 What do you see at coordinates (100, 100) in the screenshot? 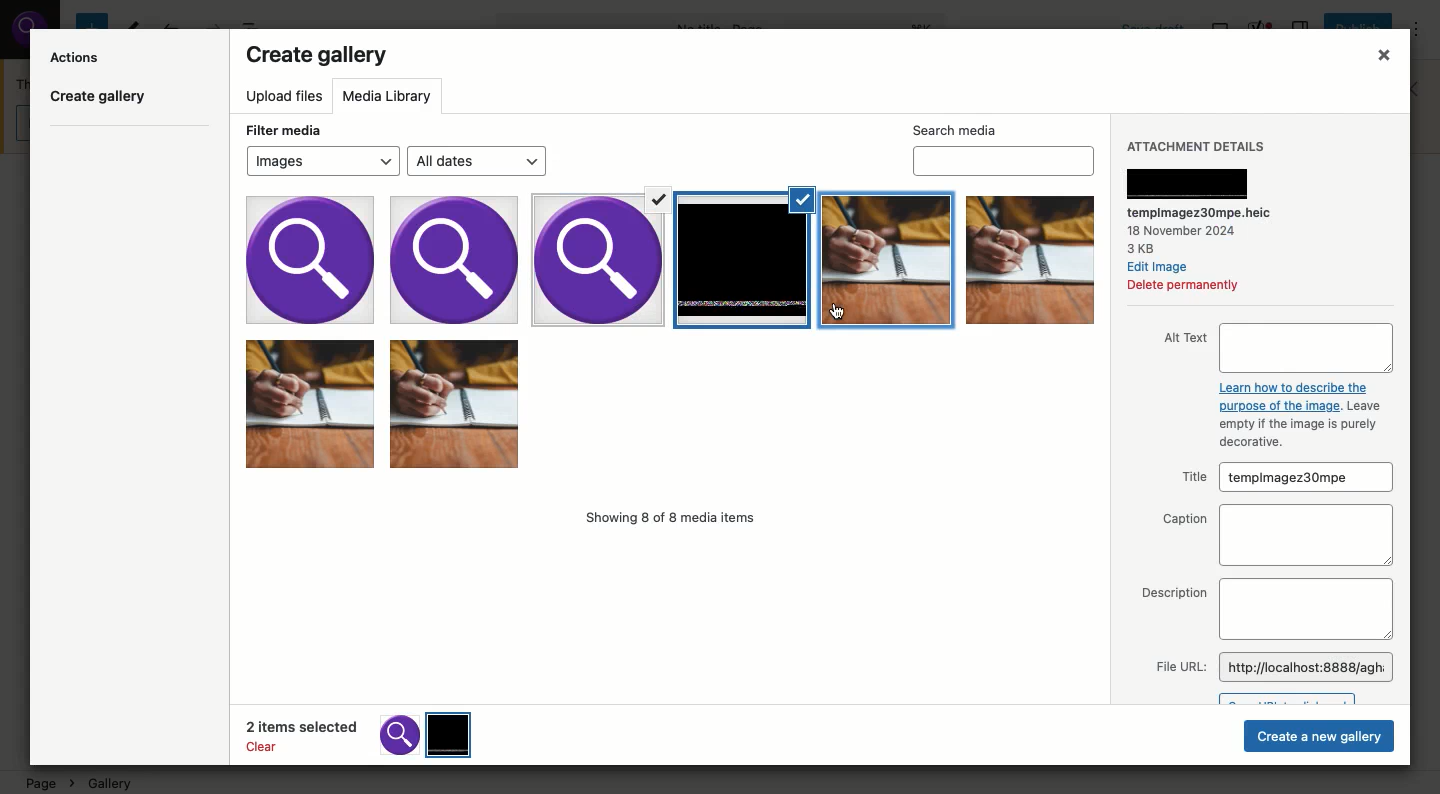
I see `Create gallery` at bounding box center [100, 100].